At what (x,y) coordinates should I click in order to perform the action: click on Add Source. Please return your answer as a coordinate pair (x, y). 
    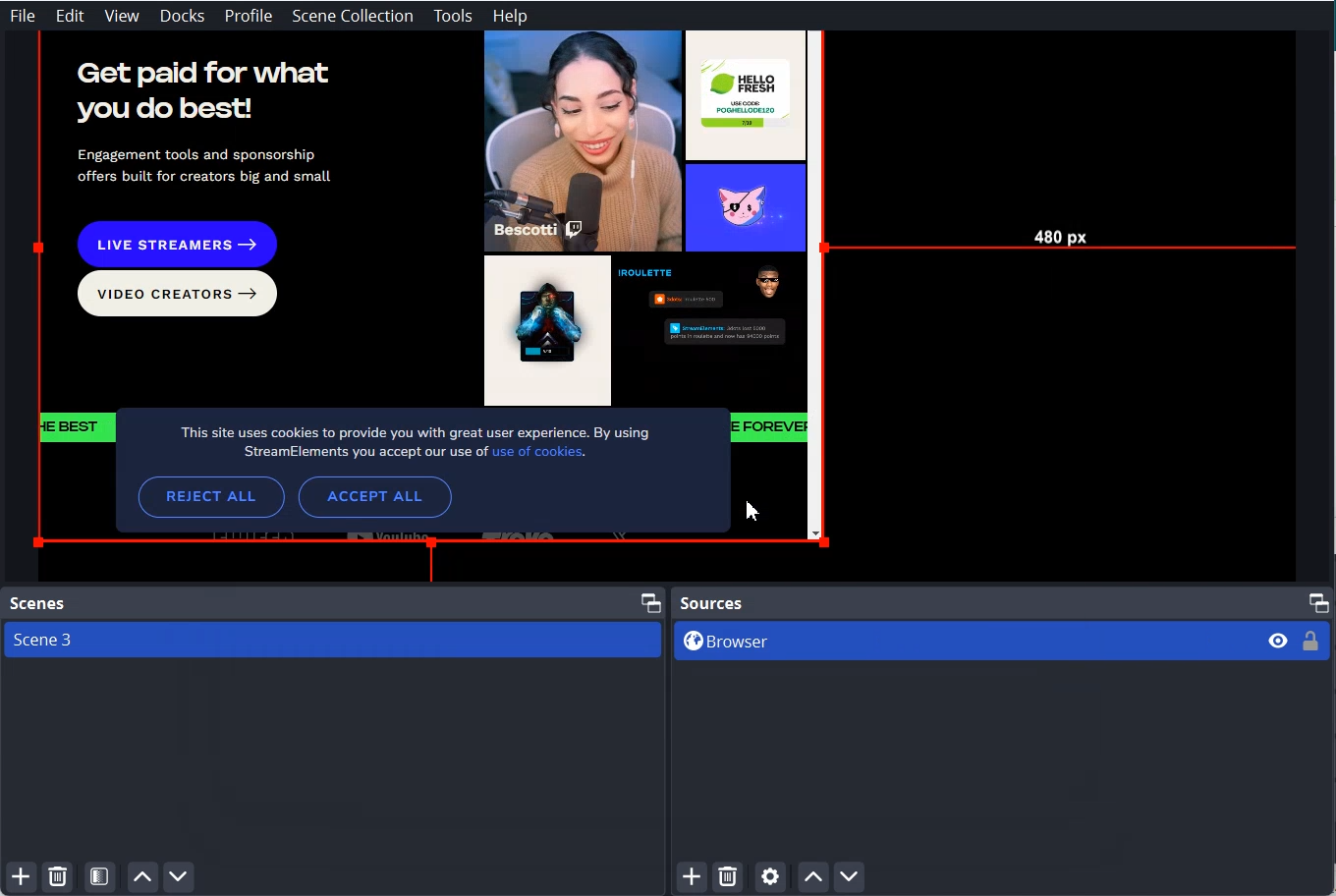
    Looking at the image, I should click on (694, 877).